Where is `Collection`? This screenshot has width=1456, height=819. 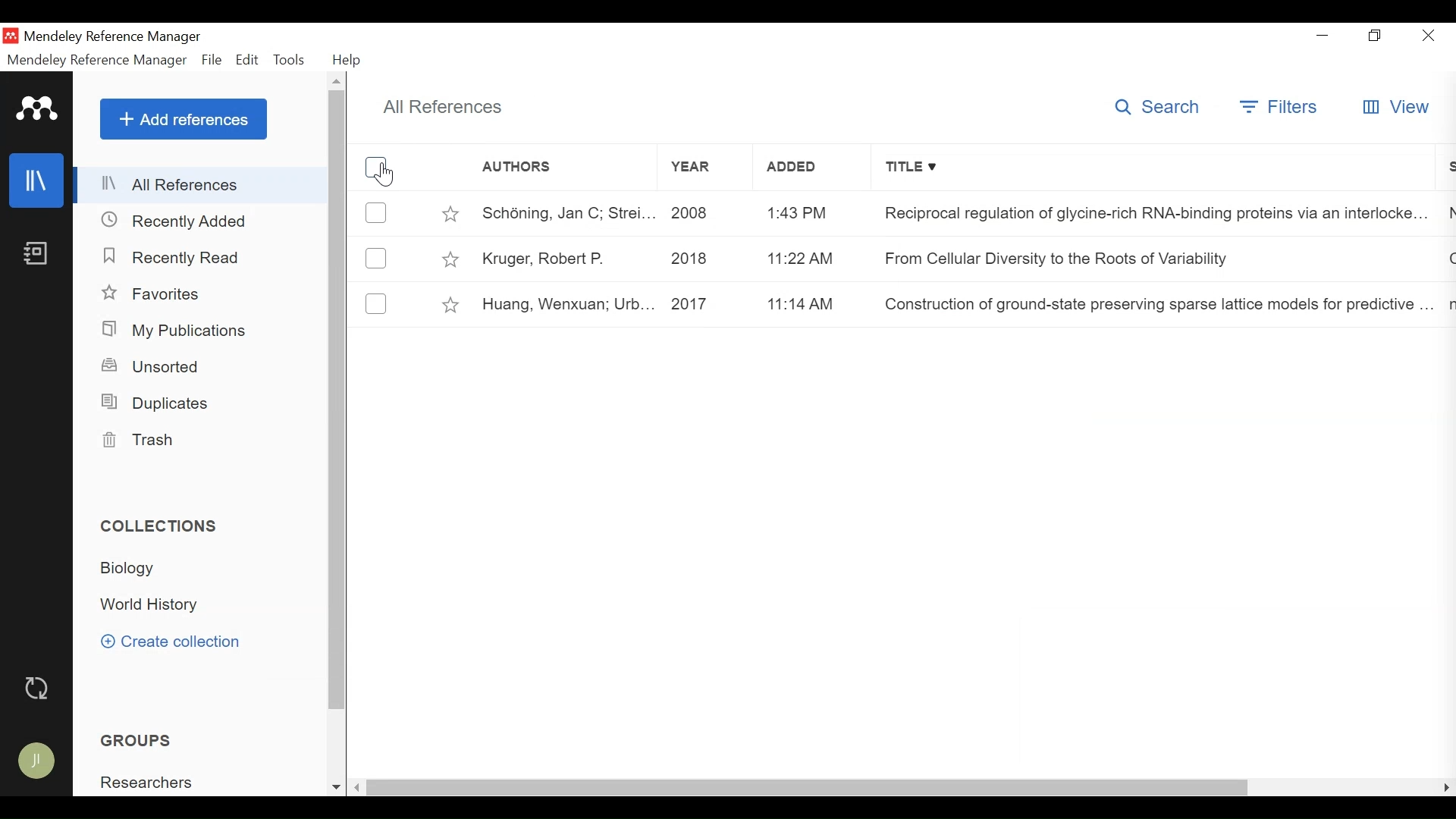 Collection is located at coordinates (183, 781).